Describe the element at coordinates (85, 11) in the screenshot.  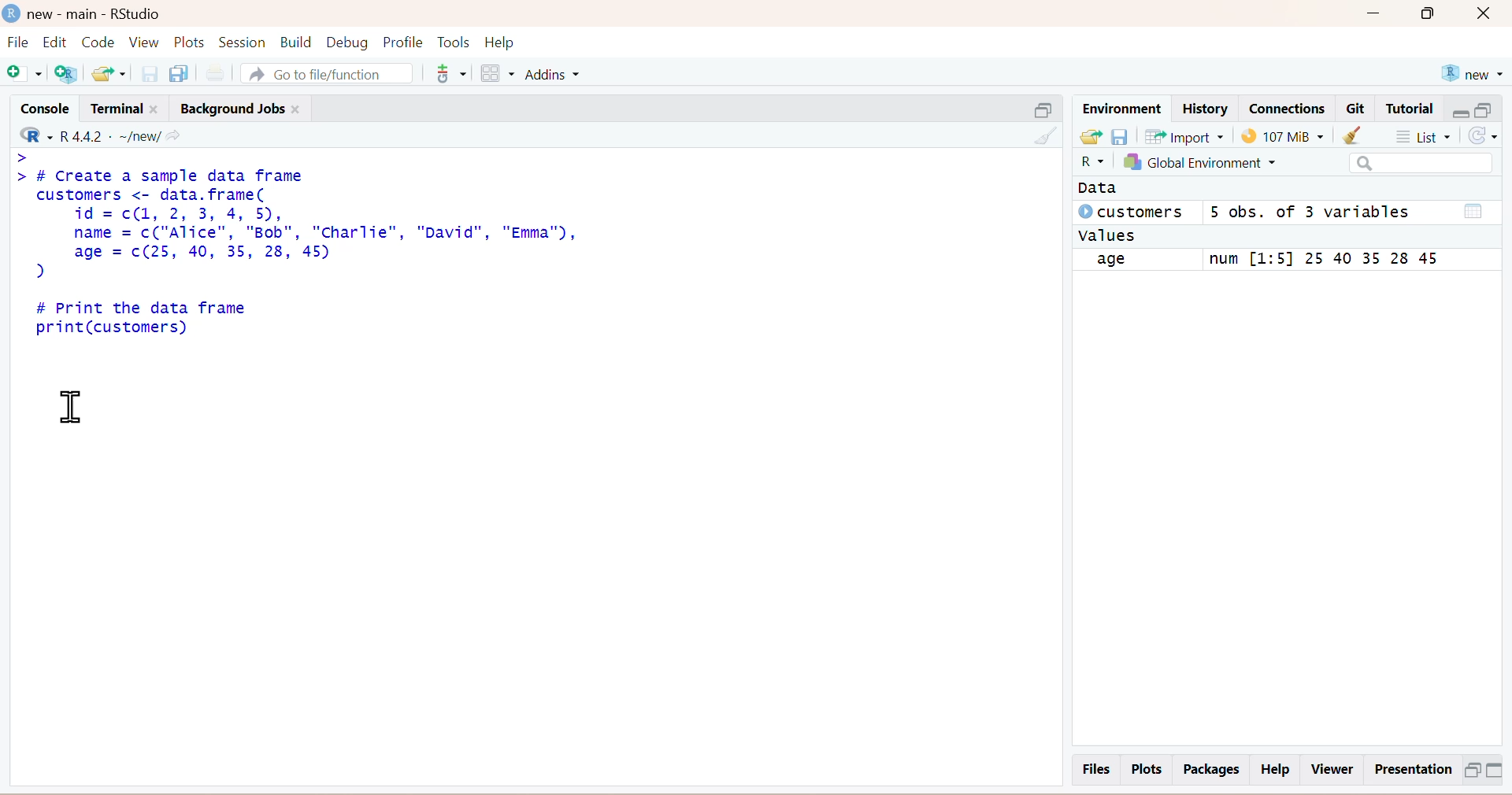
I see `new - main - RStudio` at that location.